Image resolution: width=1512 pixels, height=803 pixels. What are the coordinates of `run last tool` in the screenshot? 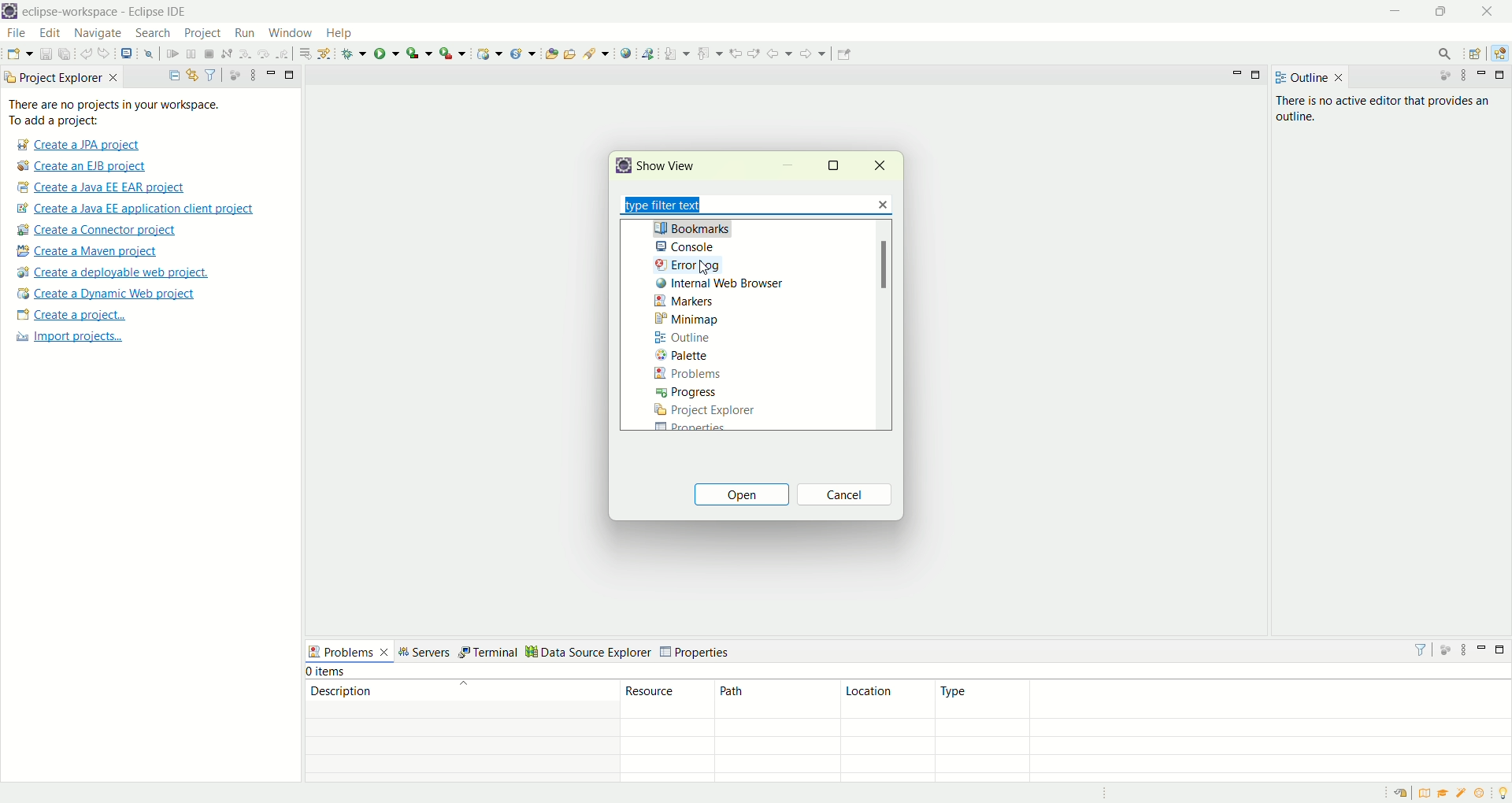 It's located at (450, 53).